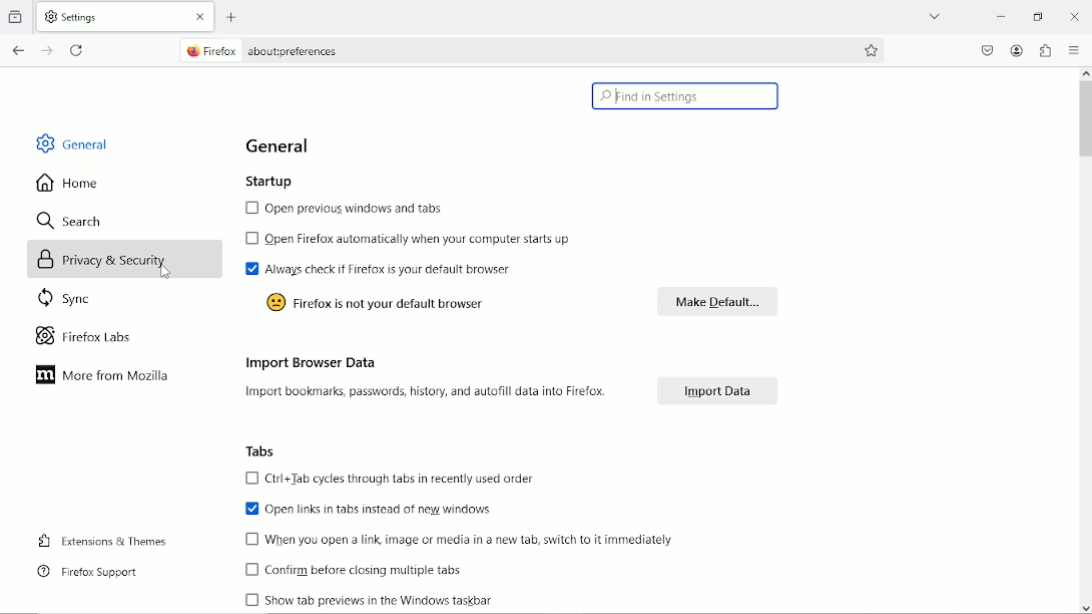  What do you see at coordinates (870, 50) in the screenshot?
I see `bookmark this page` at bounding box center [870, 50].